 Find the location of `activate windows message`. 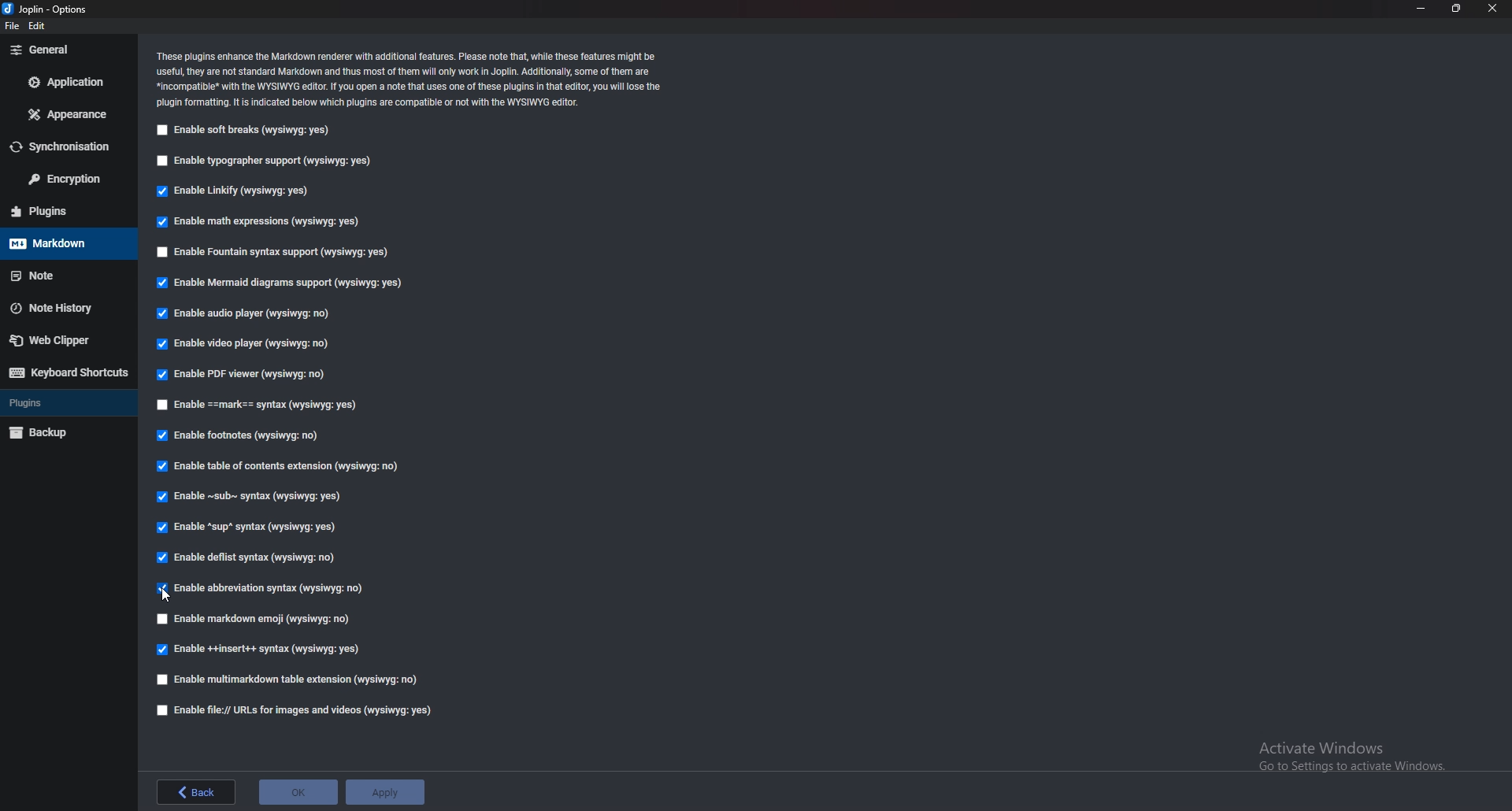

activate windows message is located at coordinates (1350, 750).